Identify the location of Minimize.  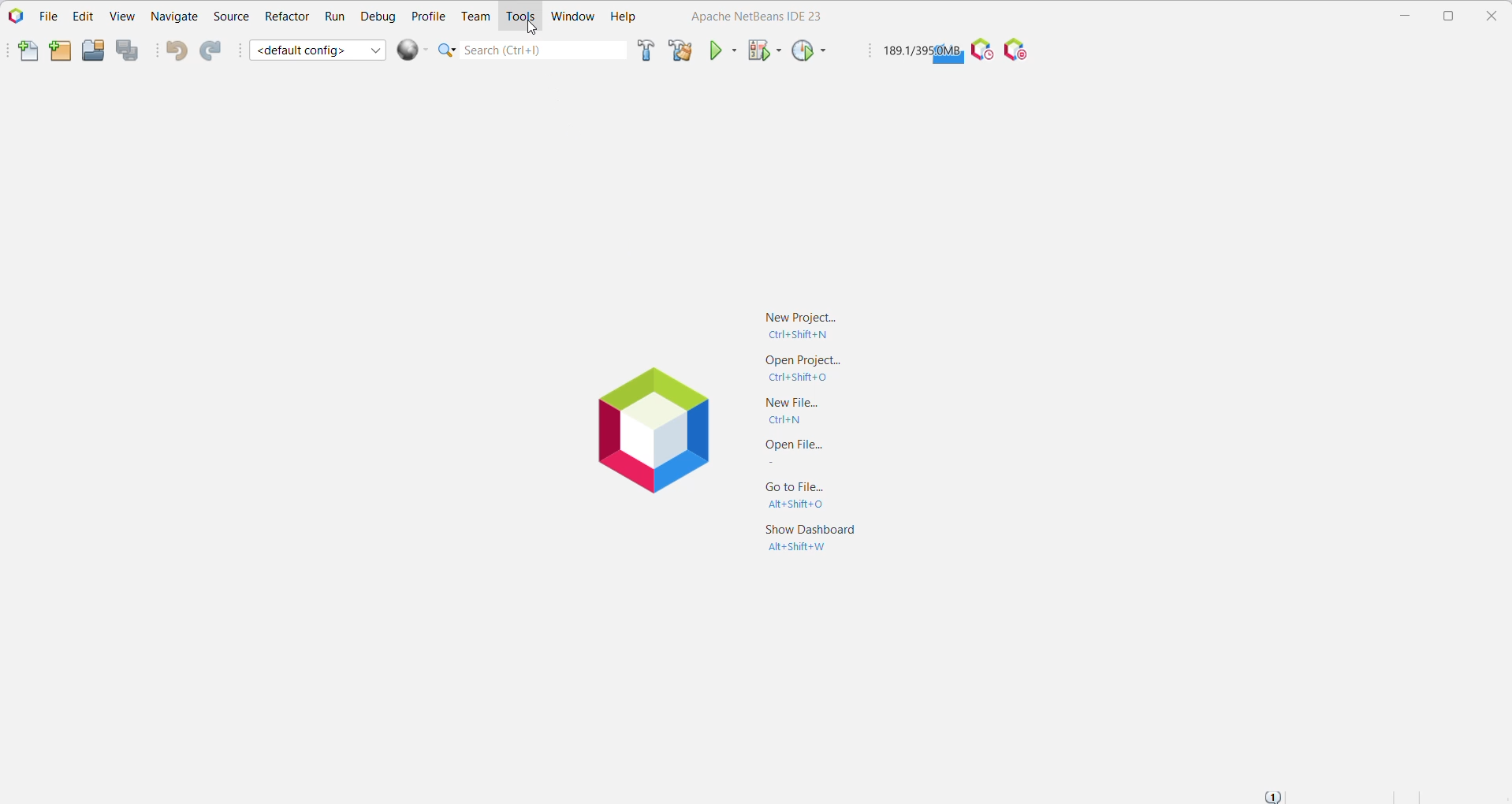
(1401, 16).